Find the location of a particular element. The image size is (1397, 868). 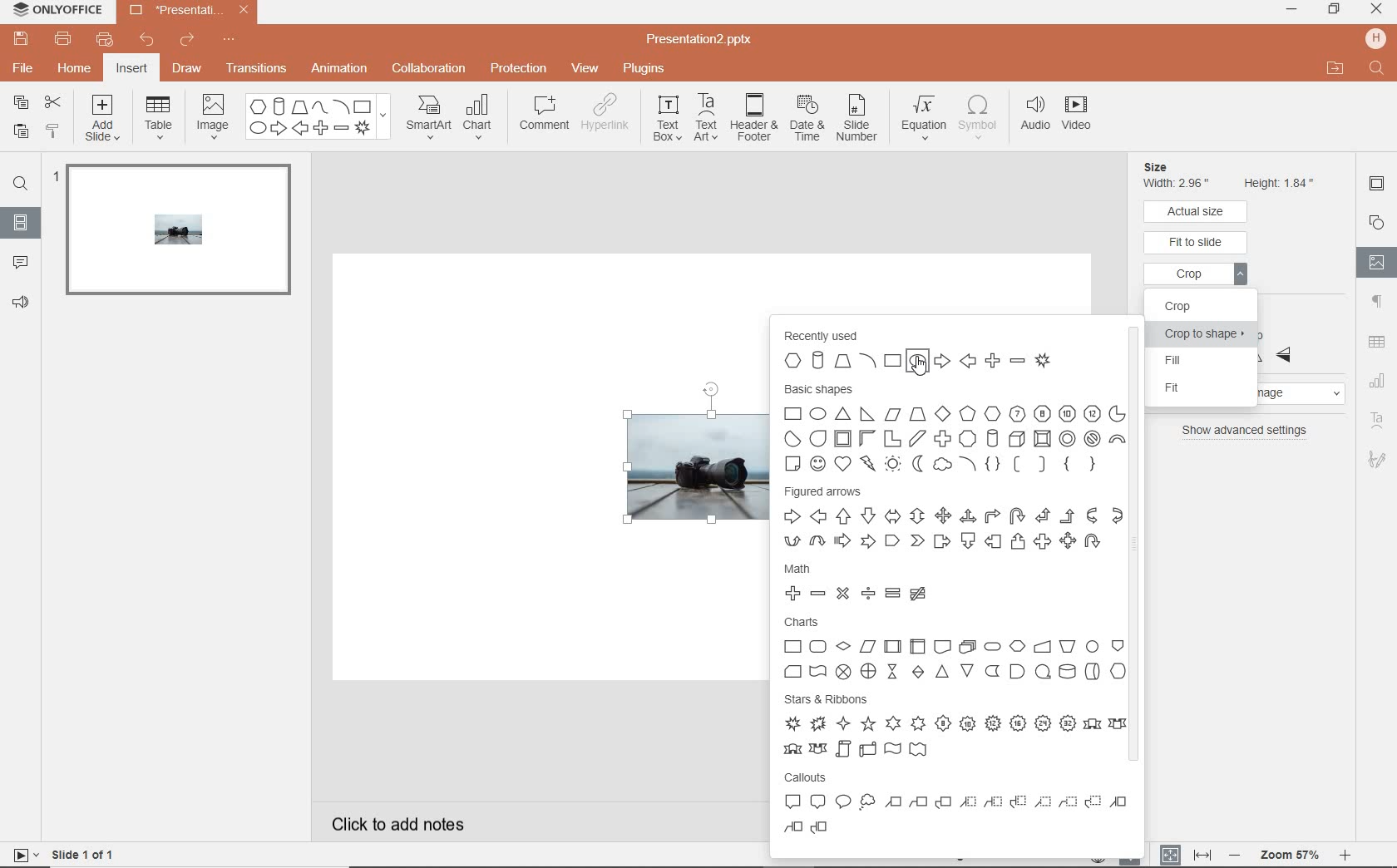

date & time is located at coordinates (809, 118).